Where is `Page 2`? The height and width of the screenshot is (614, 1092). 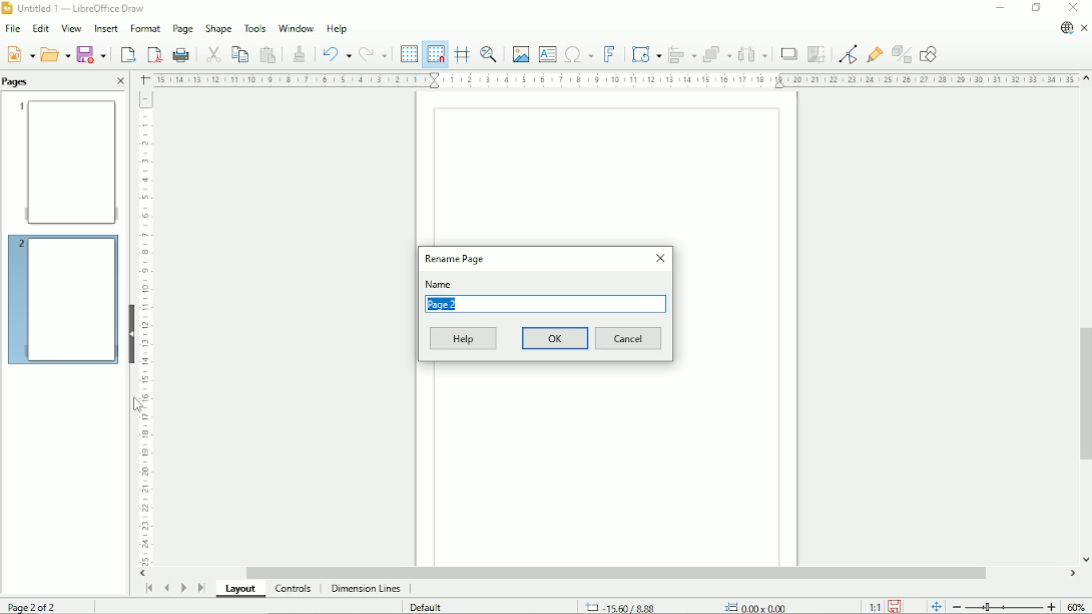
Page 2 is located at coordinates (448, 305).